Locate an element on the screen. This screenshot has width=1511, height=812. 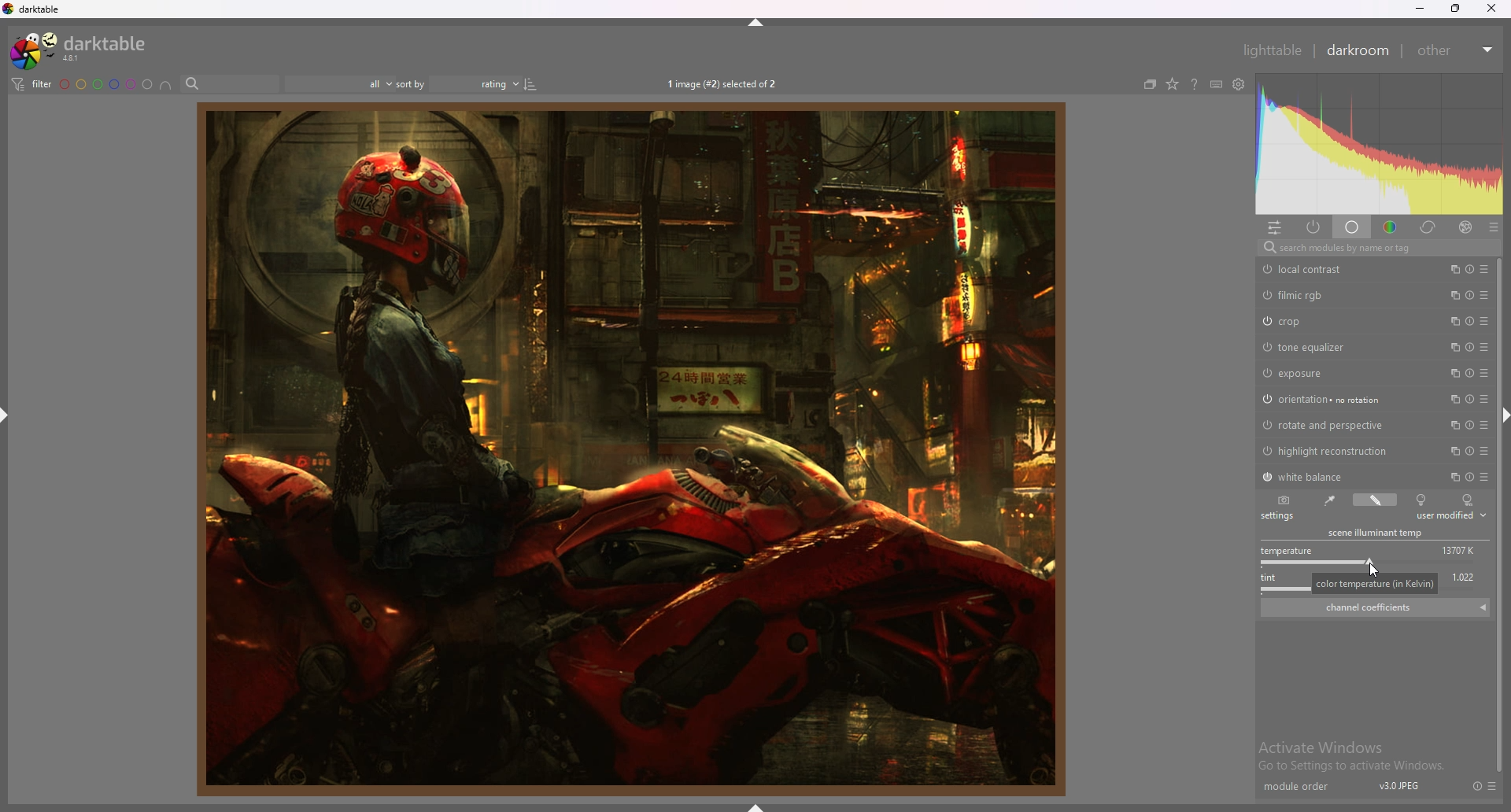
multiple instances action is located at coordinates (1454, 400).